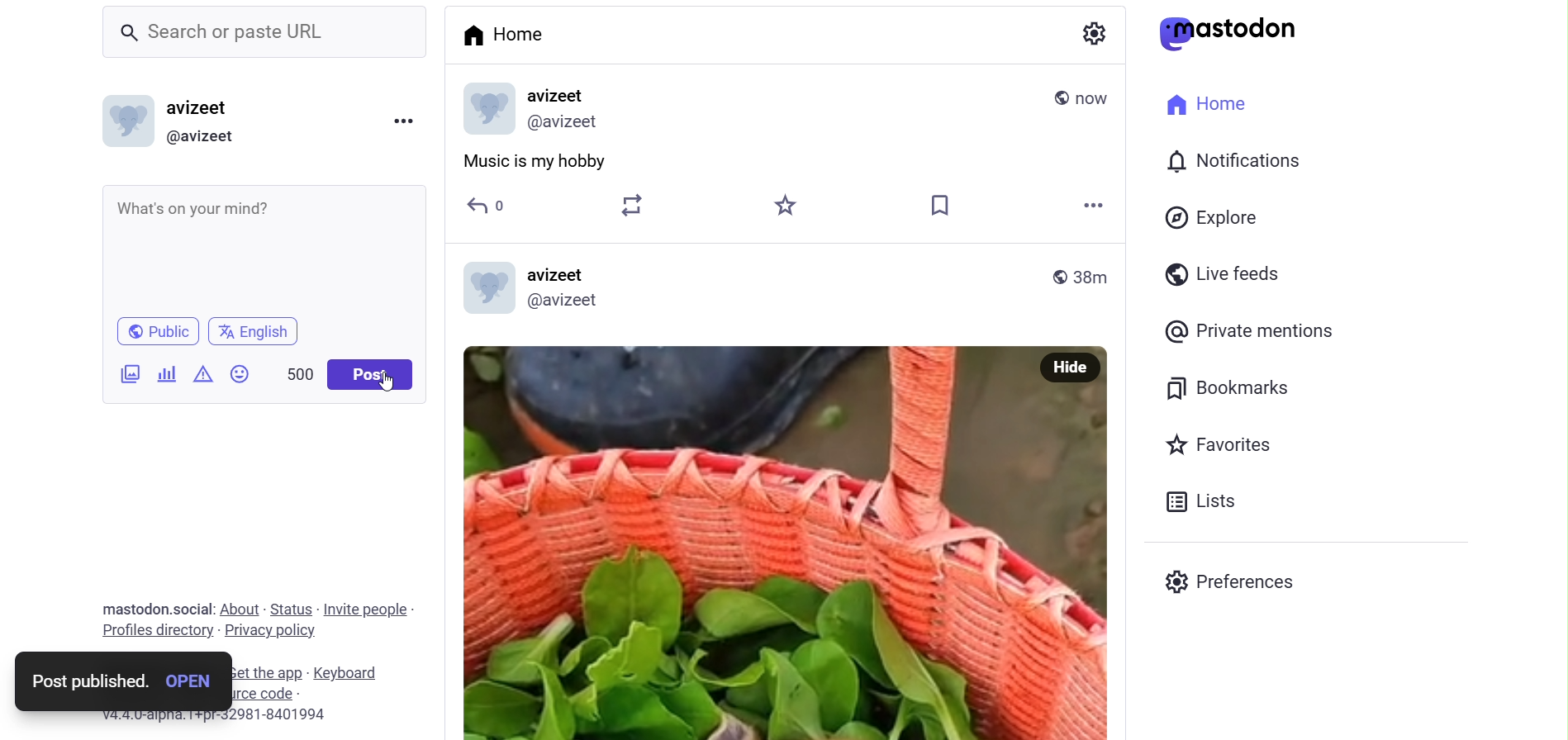 This screenshot has height=740, width=1568. I want to click on Post published, so click(86, 681).